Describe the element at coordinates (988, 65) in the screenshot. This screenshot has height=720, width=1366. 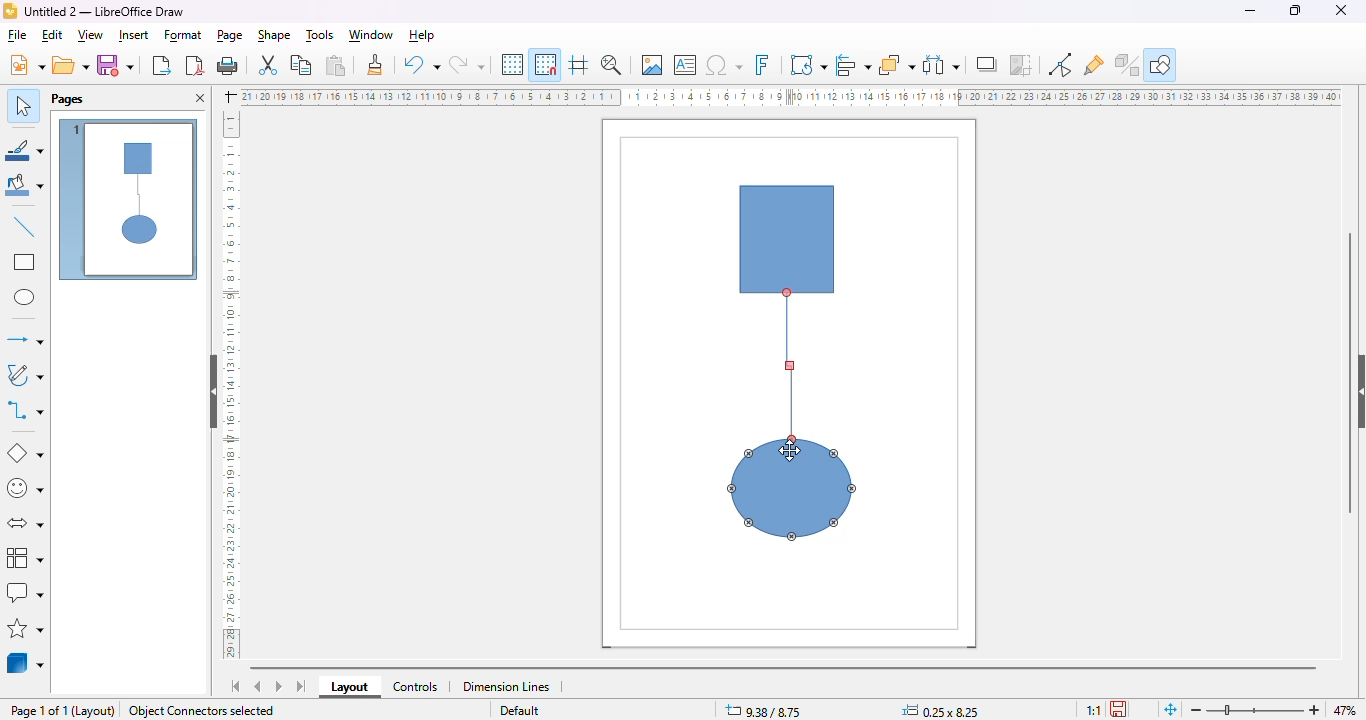
I see `shadow` at that location.